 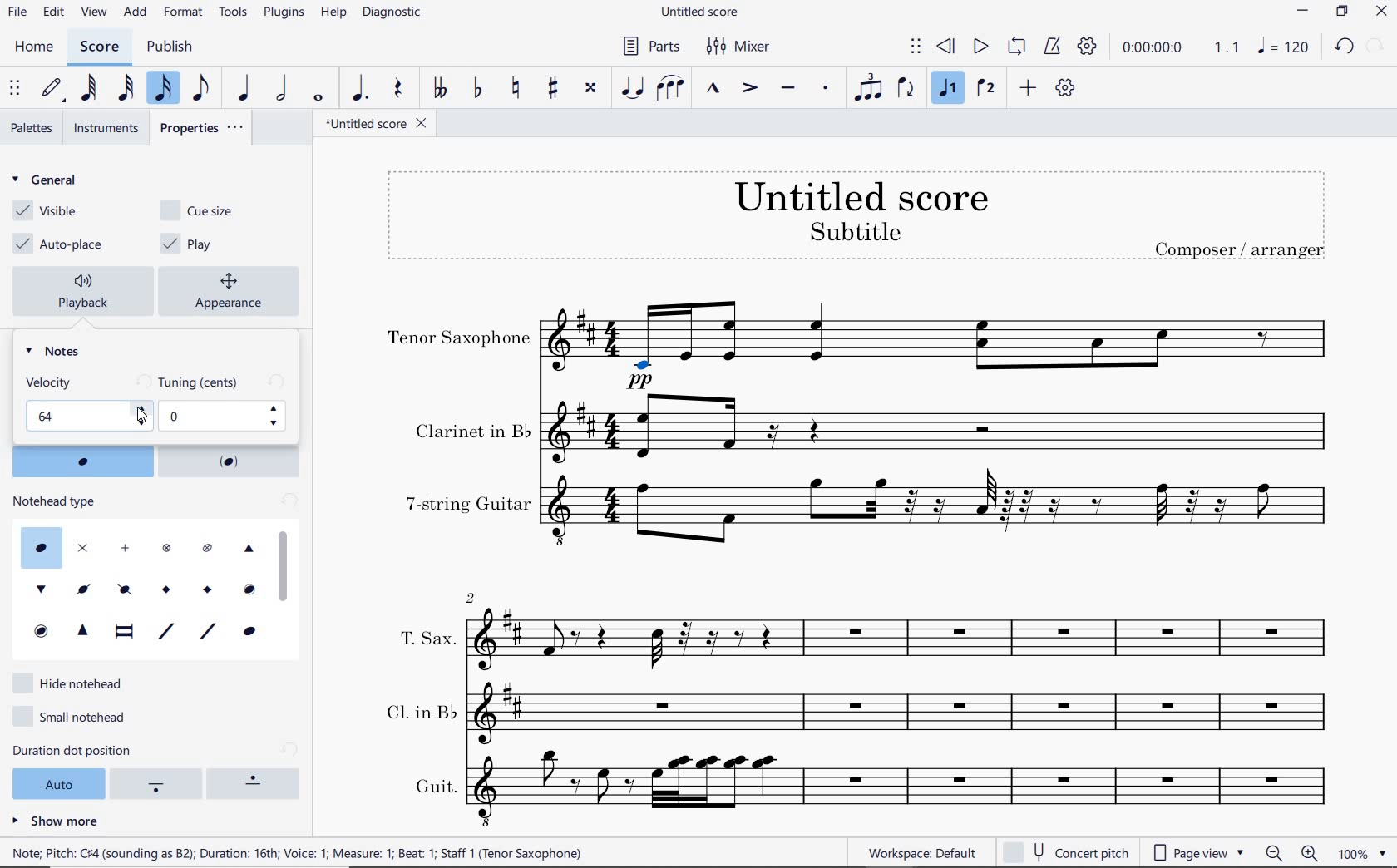 I want to click on DIAGNOSTIC, so click(x=392, y=13).